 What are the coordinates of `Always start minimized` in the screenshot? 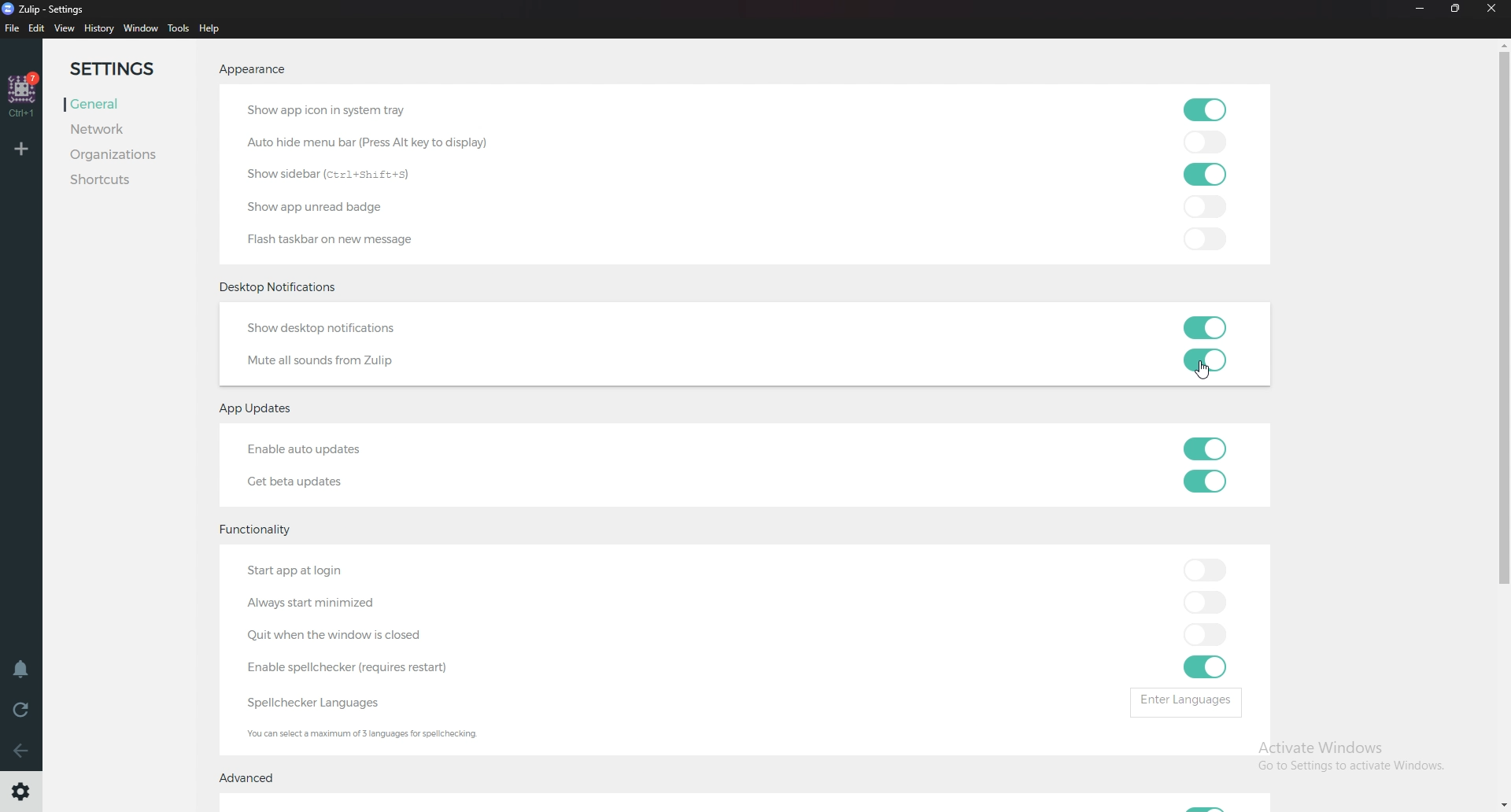 It's located at (326, 603).